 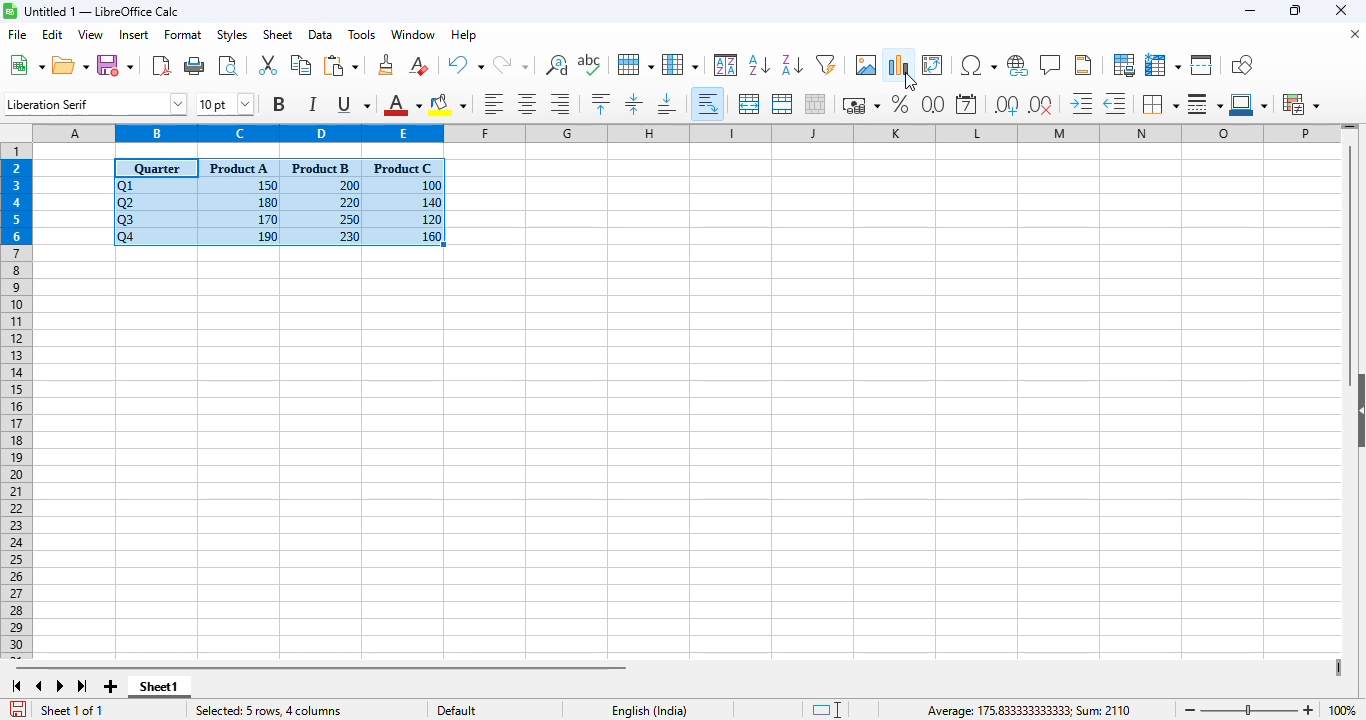 I want to click on toggle print preview, so click(x=228, y=66).